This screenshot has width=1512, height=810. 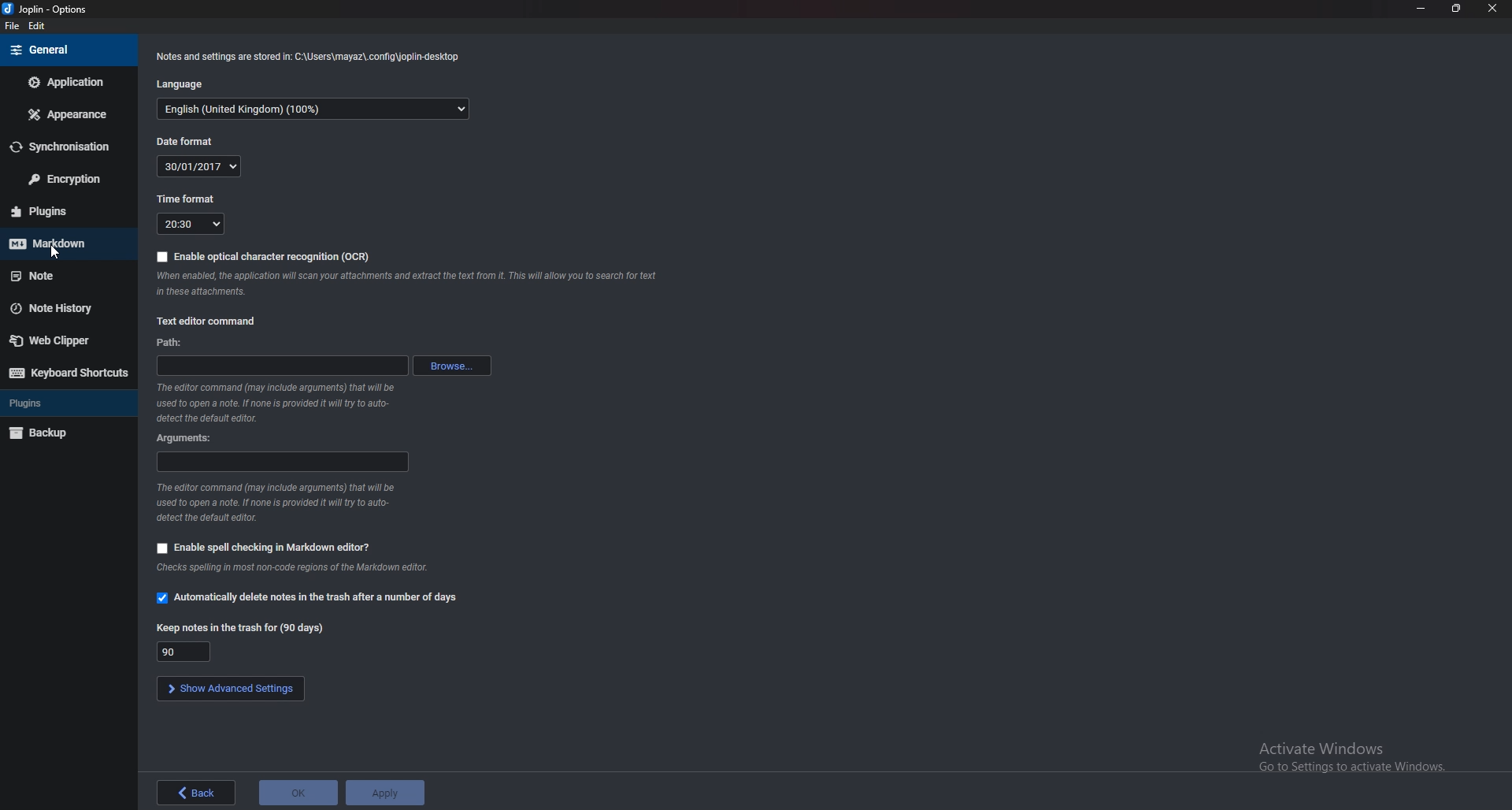 What do you see at coordinates (200, 166) in the screenshot?
I see `Date format` at bounding box center [200, 166].